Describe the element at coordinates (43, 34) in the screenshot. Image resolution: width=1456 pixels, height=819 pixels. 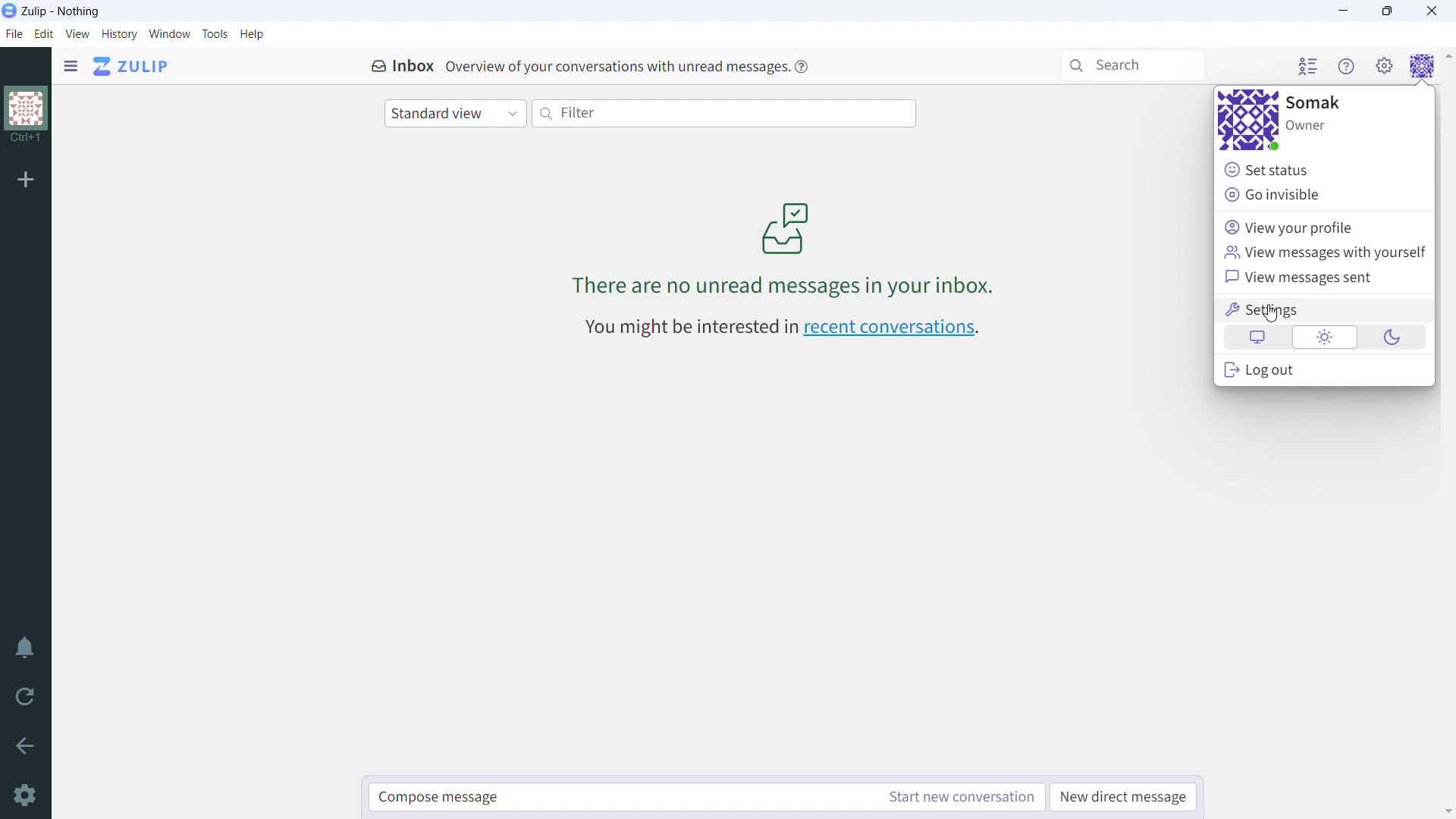
I see `edit` at that location.